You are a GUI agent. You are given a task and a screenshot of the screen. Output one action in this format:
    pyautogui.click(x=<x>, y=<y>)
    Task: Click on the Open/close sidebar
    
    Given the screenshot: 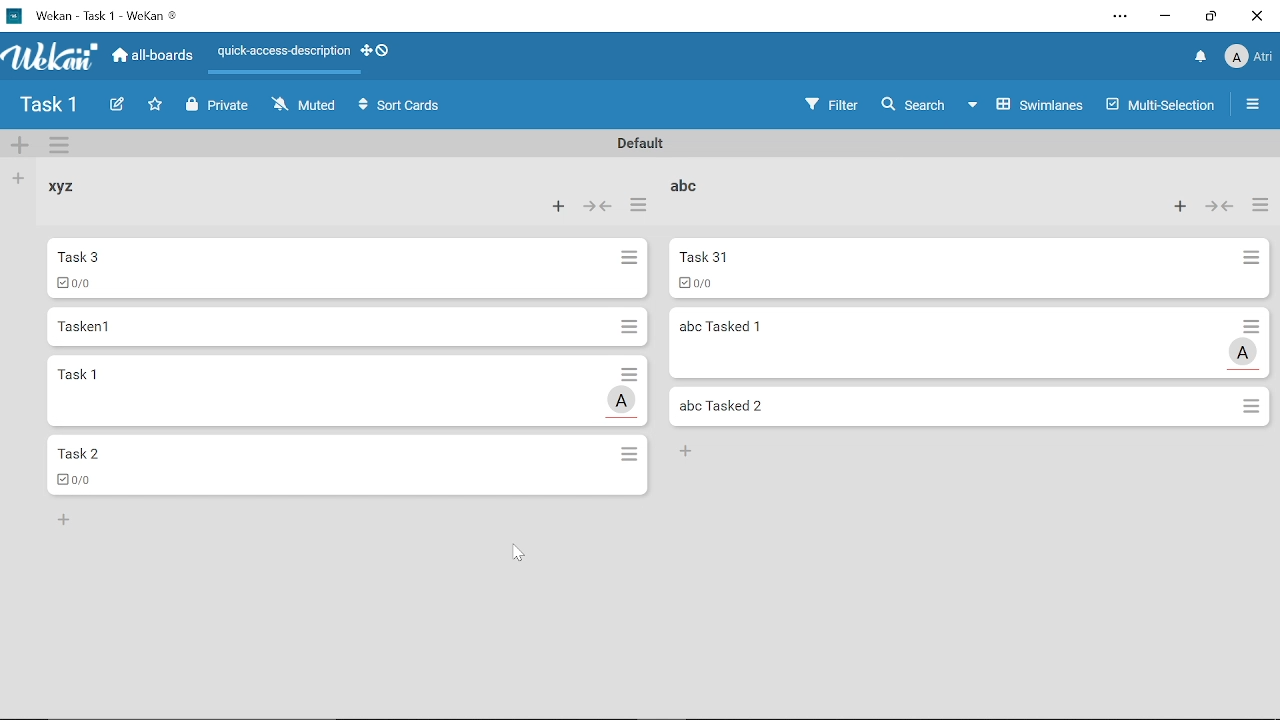 What is the action you would take?
    pyautogui.click(x=1255, y=107)
    